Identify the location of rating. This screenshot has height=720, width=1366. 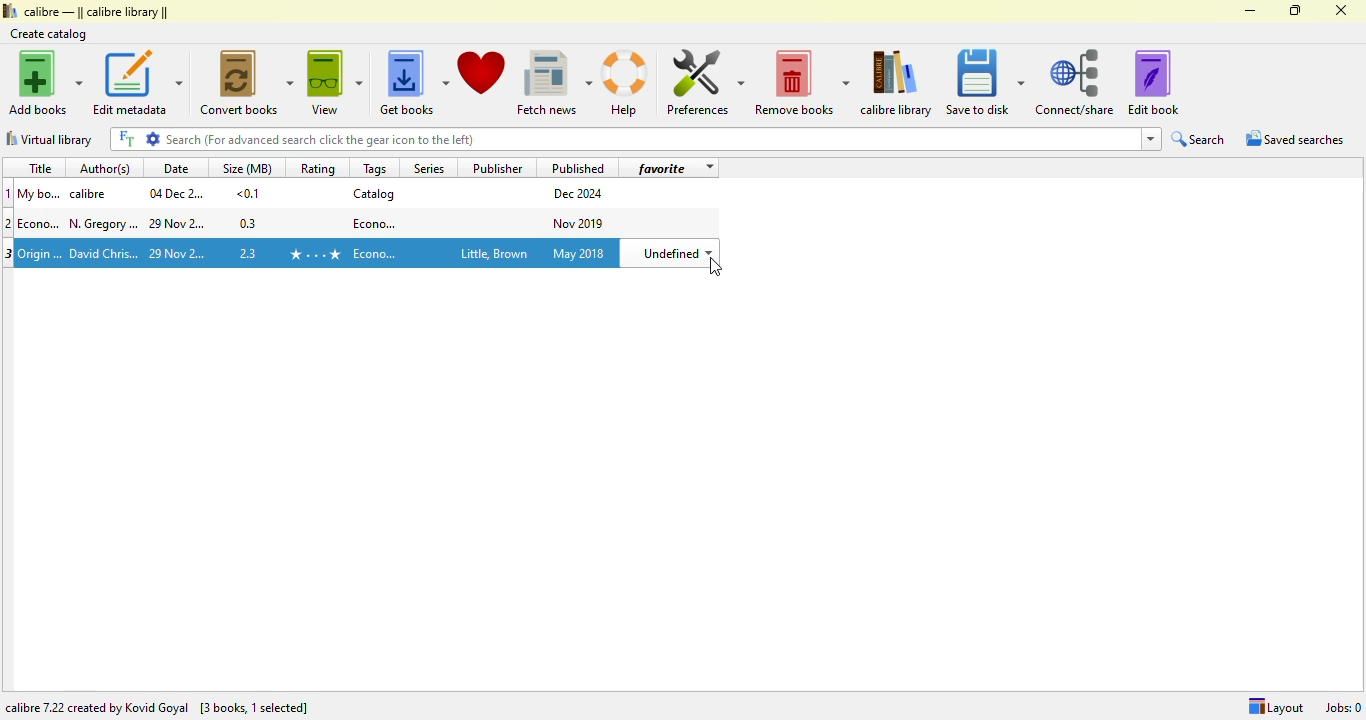
(314, 254).